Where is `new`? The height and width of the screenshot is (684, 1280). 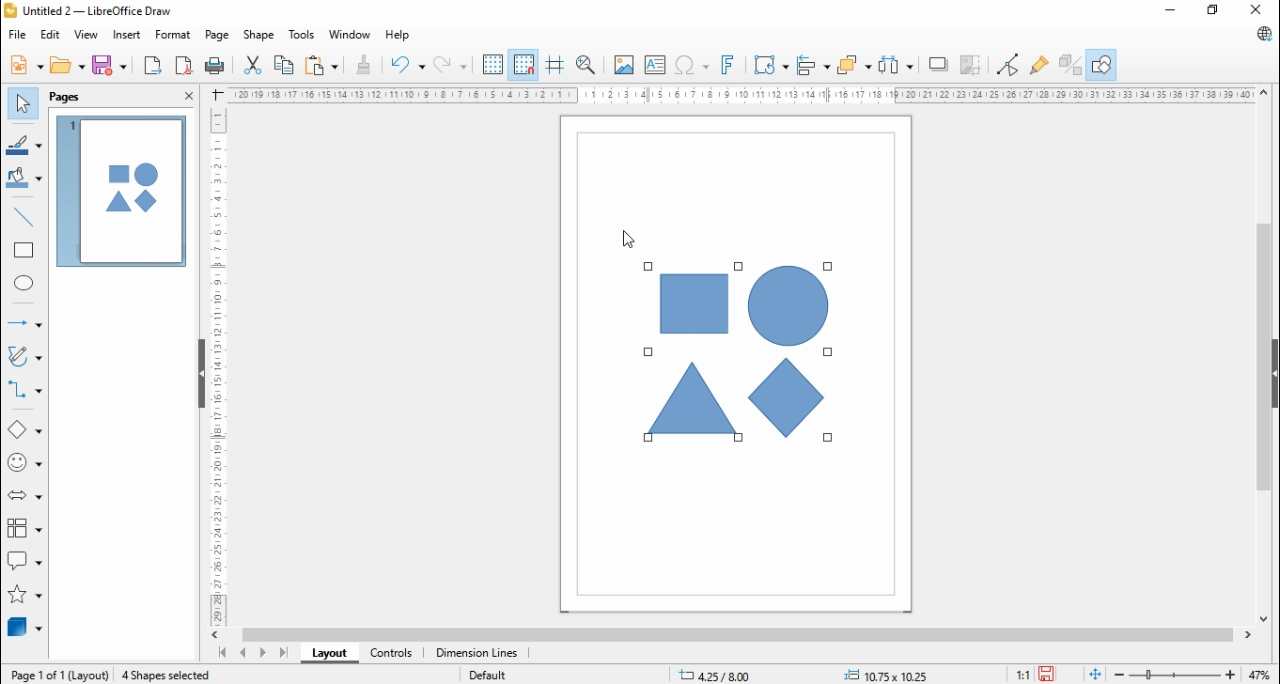 new is located at coordinates (27, 65).